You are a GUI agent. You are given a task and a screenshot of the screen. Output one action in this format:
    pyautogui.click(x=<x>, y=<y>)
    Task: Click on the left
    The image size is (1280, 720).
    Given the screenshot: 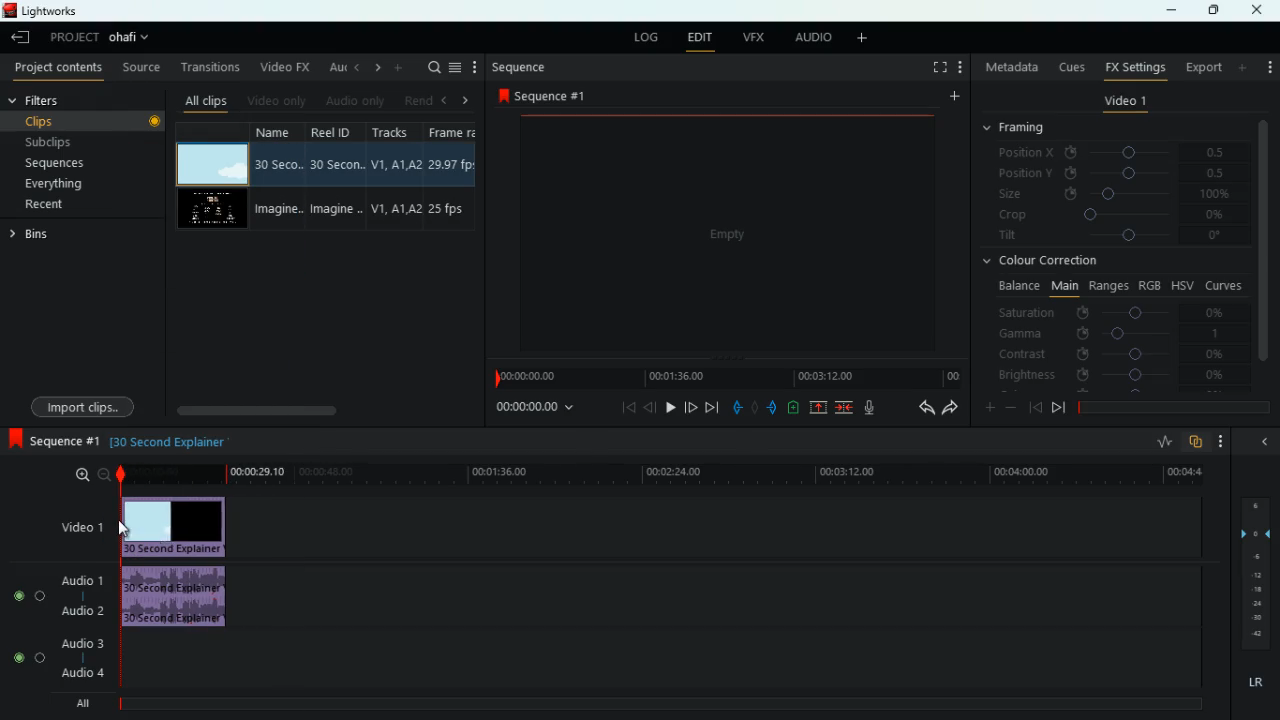 What is the action you would take?
    pyautogui.click(x=442, y=98)
    